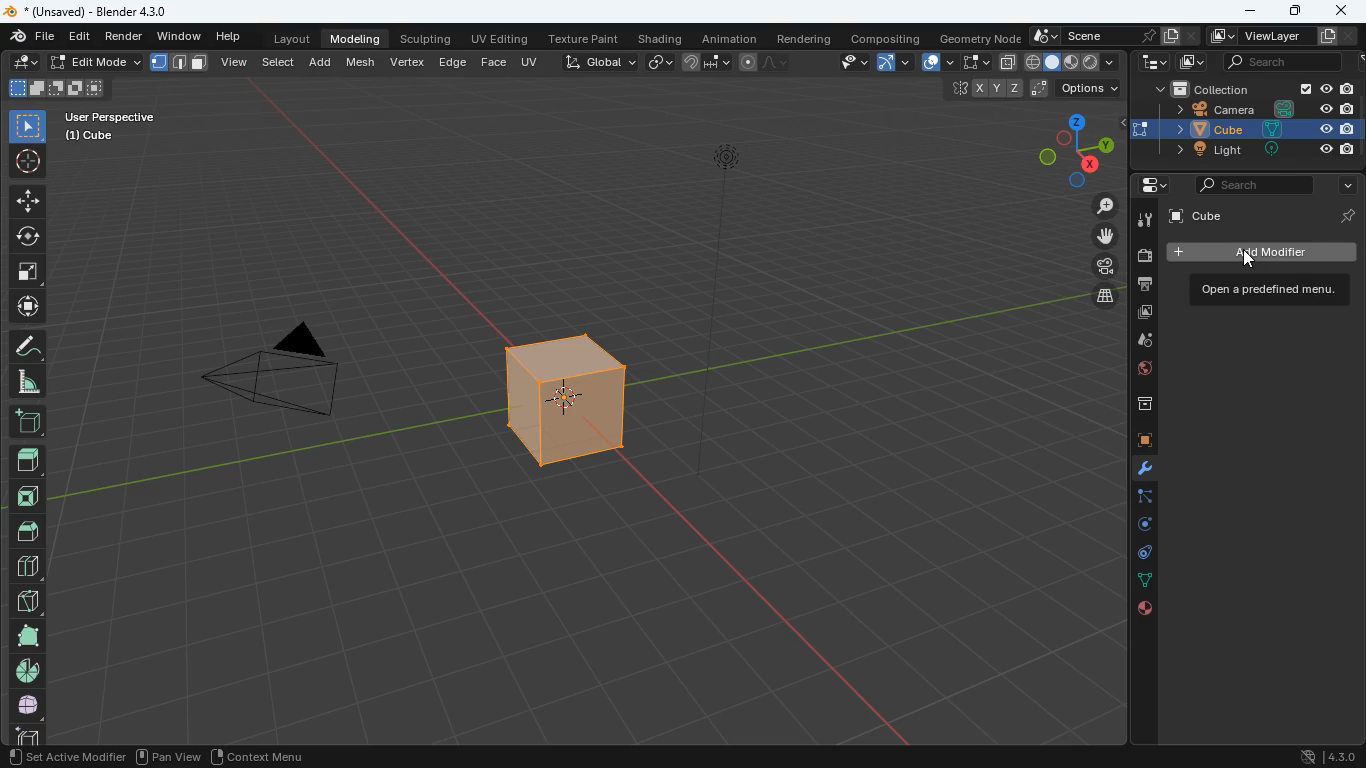 This screenshot has width=1366, height=768. What do you see at coordinates (1008, 62) in the screenshot?
I see `copy` at bounding box center [1008, 62].